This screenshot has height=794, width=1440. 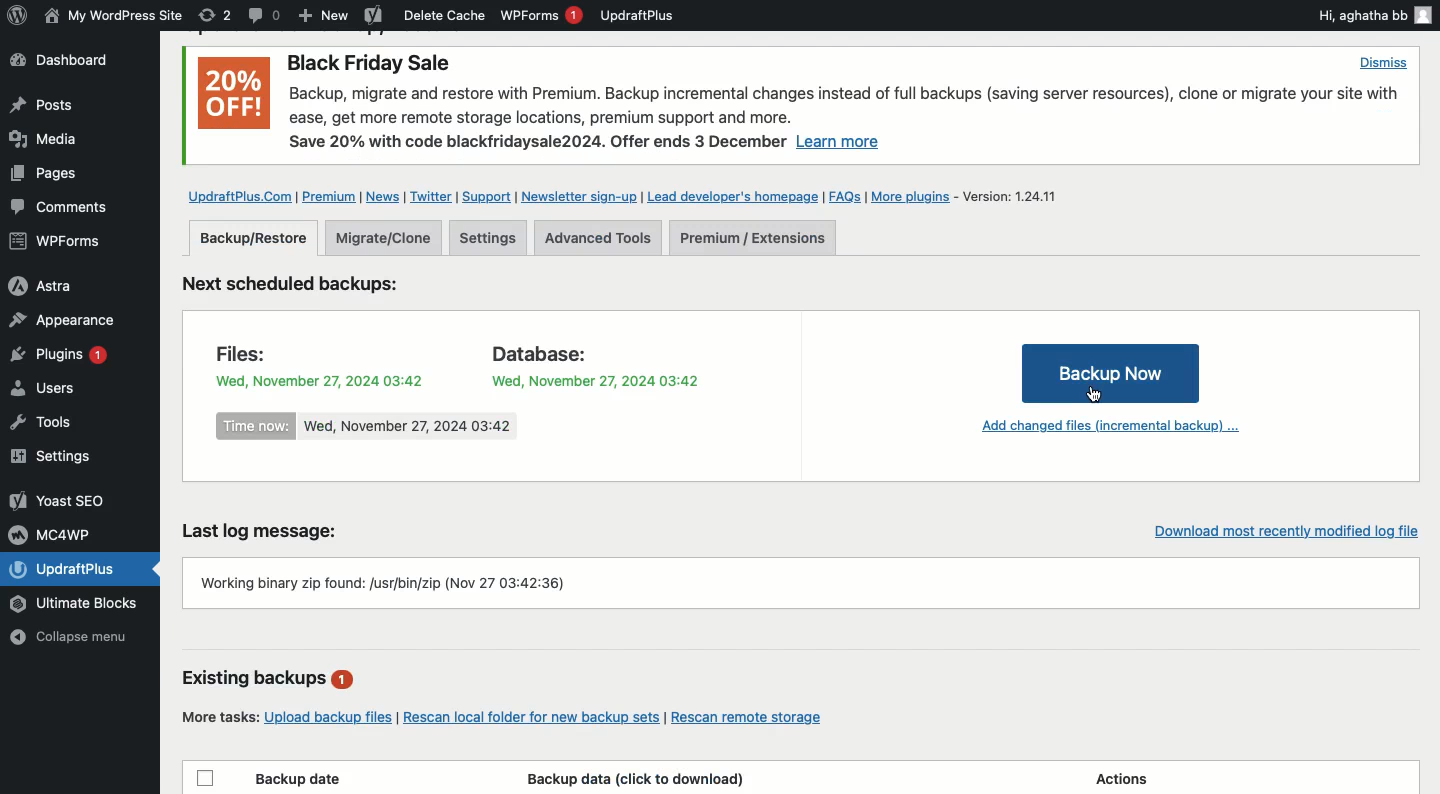 I want to click on Dismiss, so click(x=1384, y=63).